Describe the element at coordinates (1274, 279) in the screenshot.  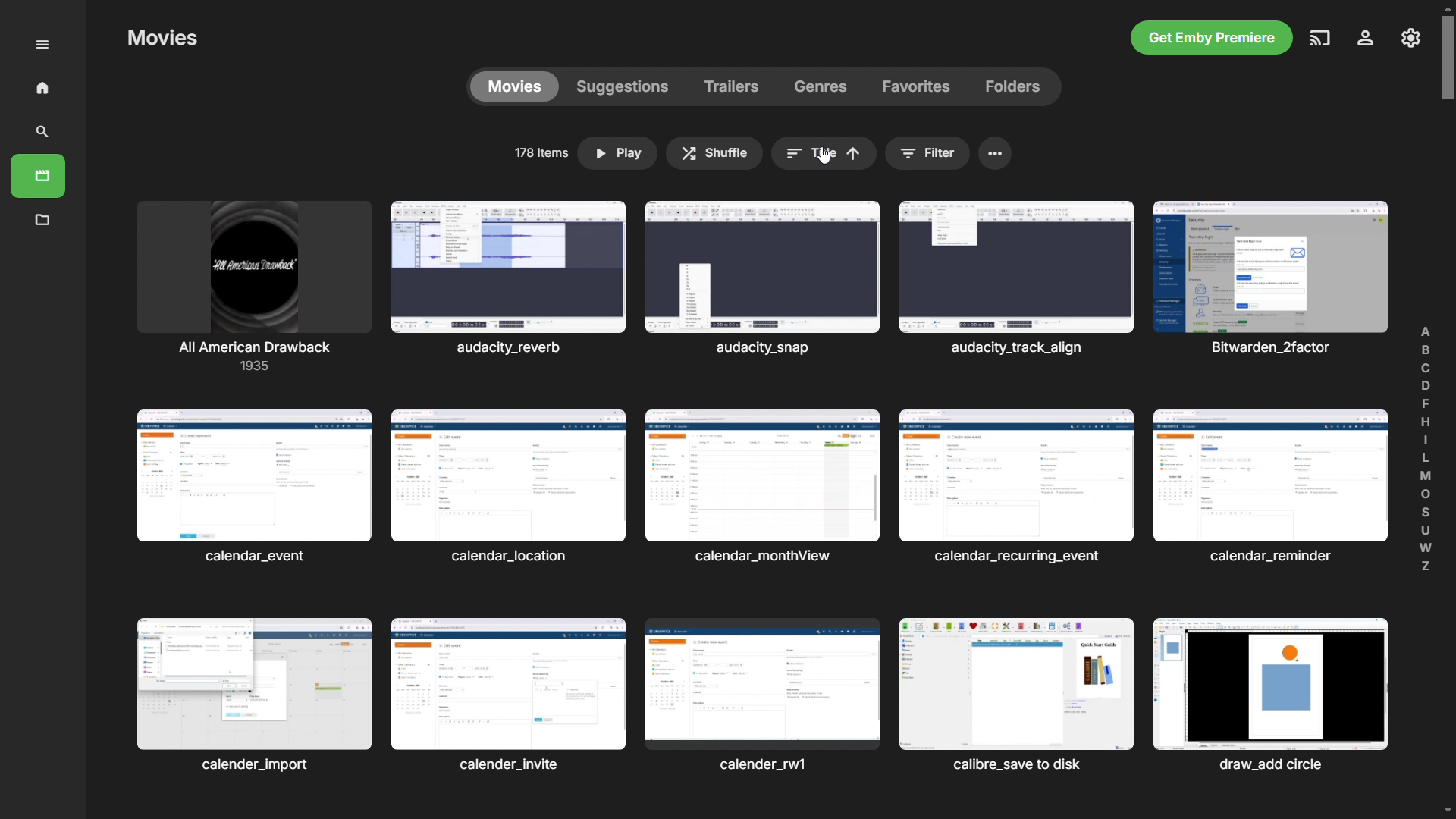
I see `` at that location.